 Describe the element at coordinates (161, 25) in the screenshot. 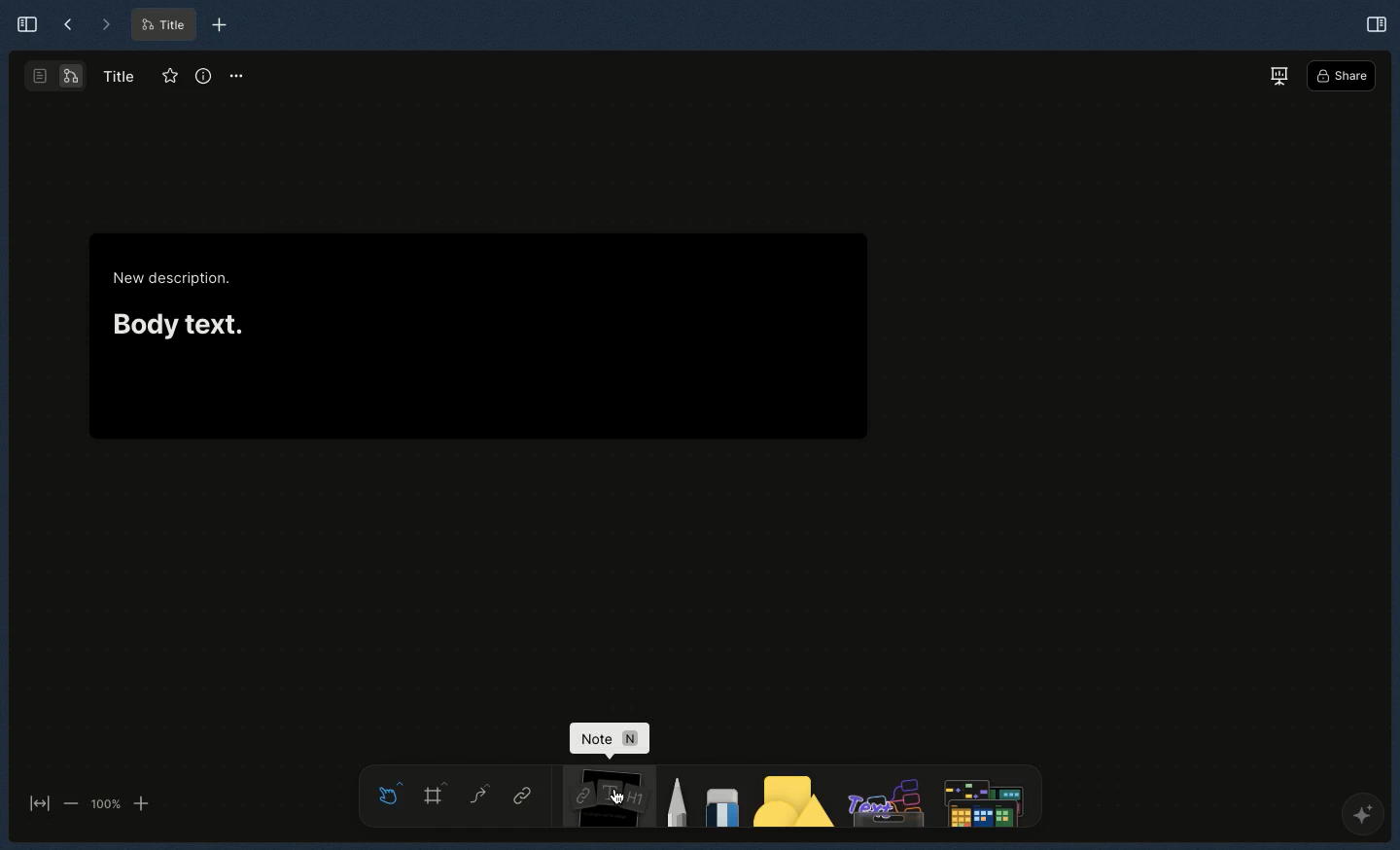

I see `Title` at that location.